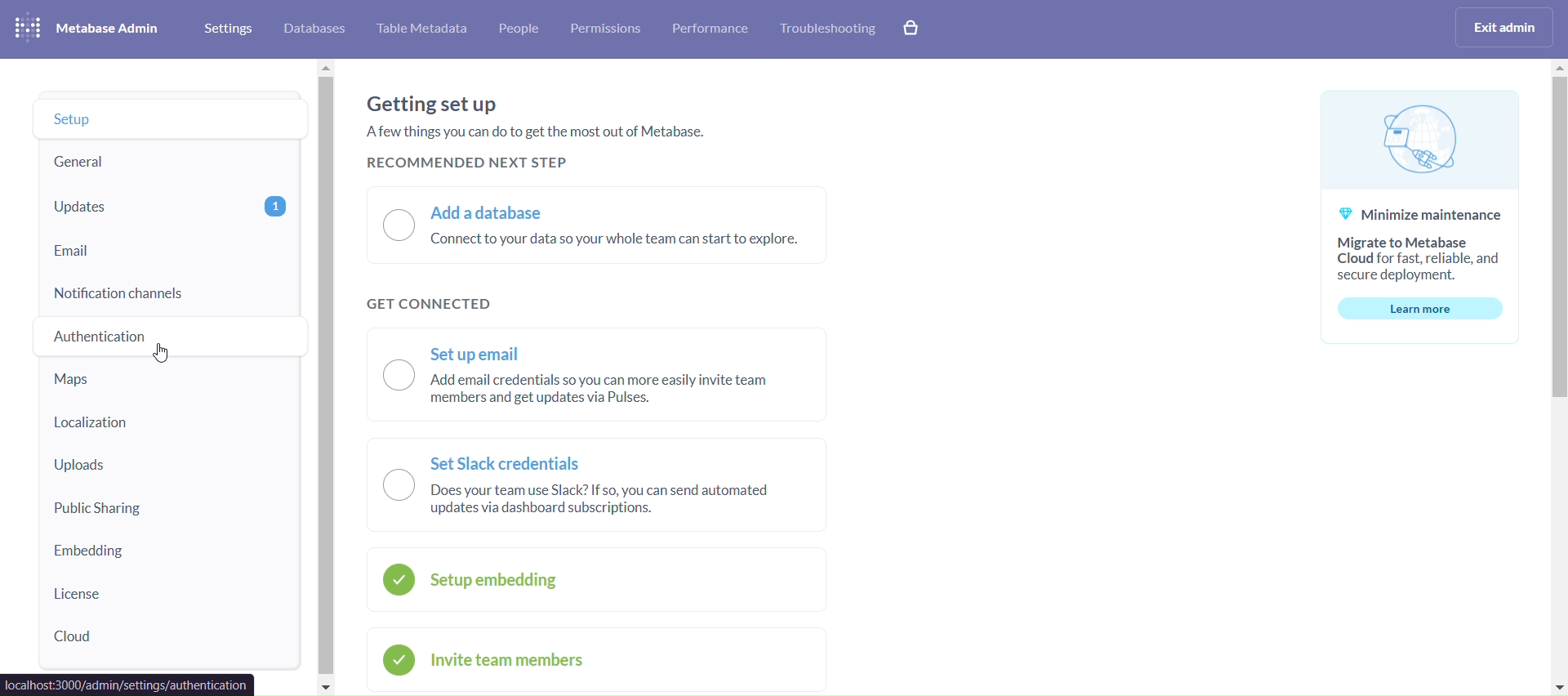 The height and width of the screenshot is (696, 1568). Describe the element at coordinates (165, 511) in the screenshot. I see `public sharing` at that location.